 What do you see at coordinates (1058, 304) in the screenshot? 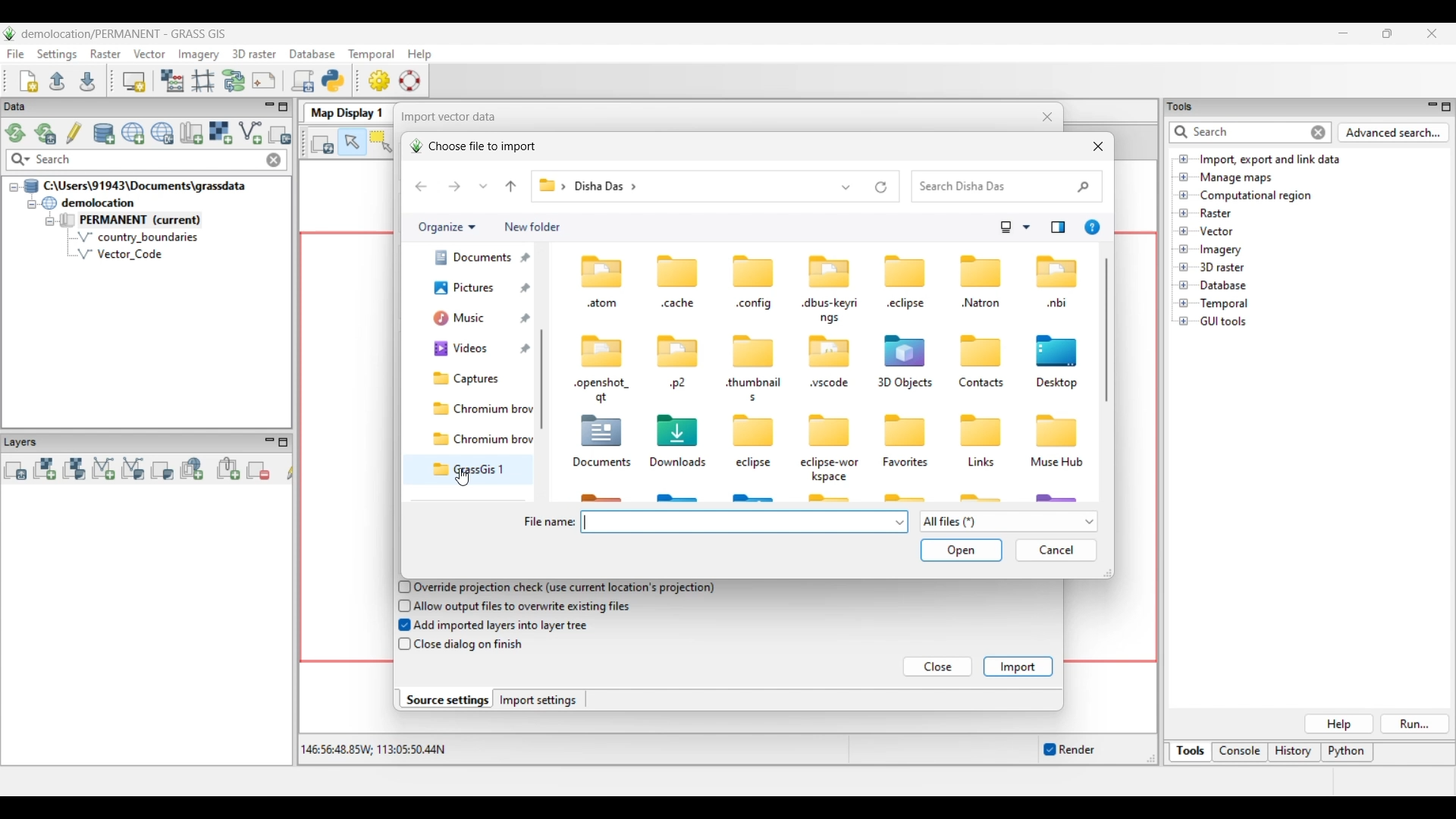
I see `nbi` at bounding box center [1058, 304].